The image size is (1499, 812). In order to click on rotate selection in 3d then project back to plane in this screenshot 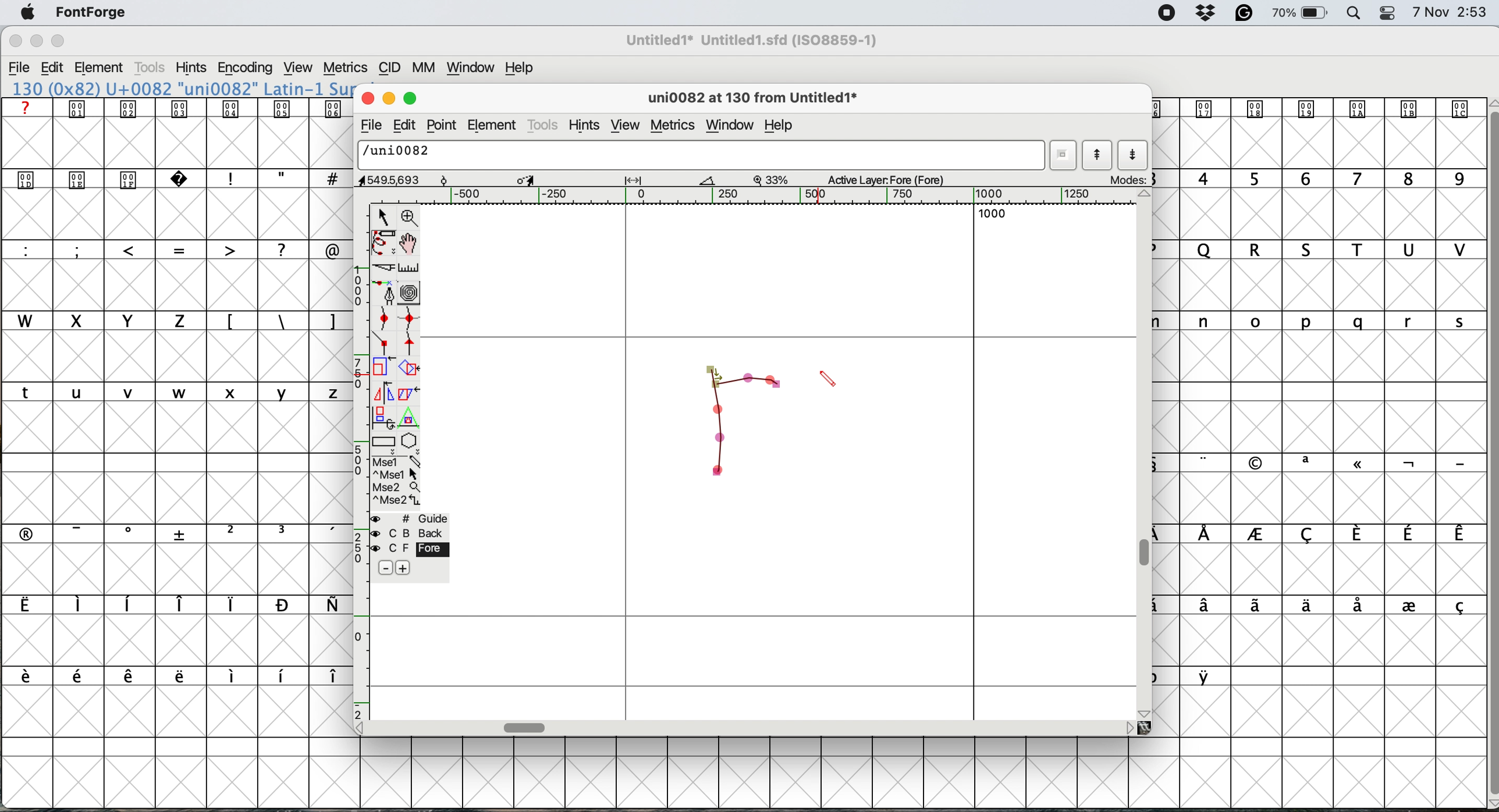, I will do `click(384, 418)`.